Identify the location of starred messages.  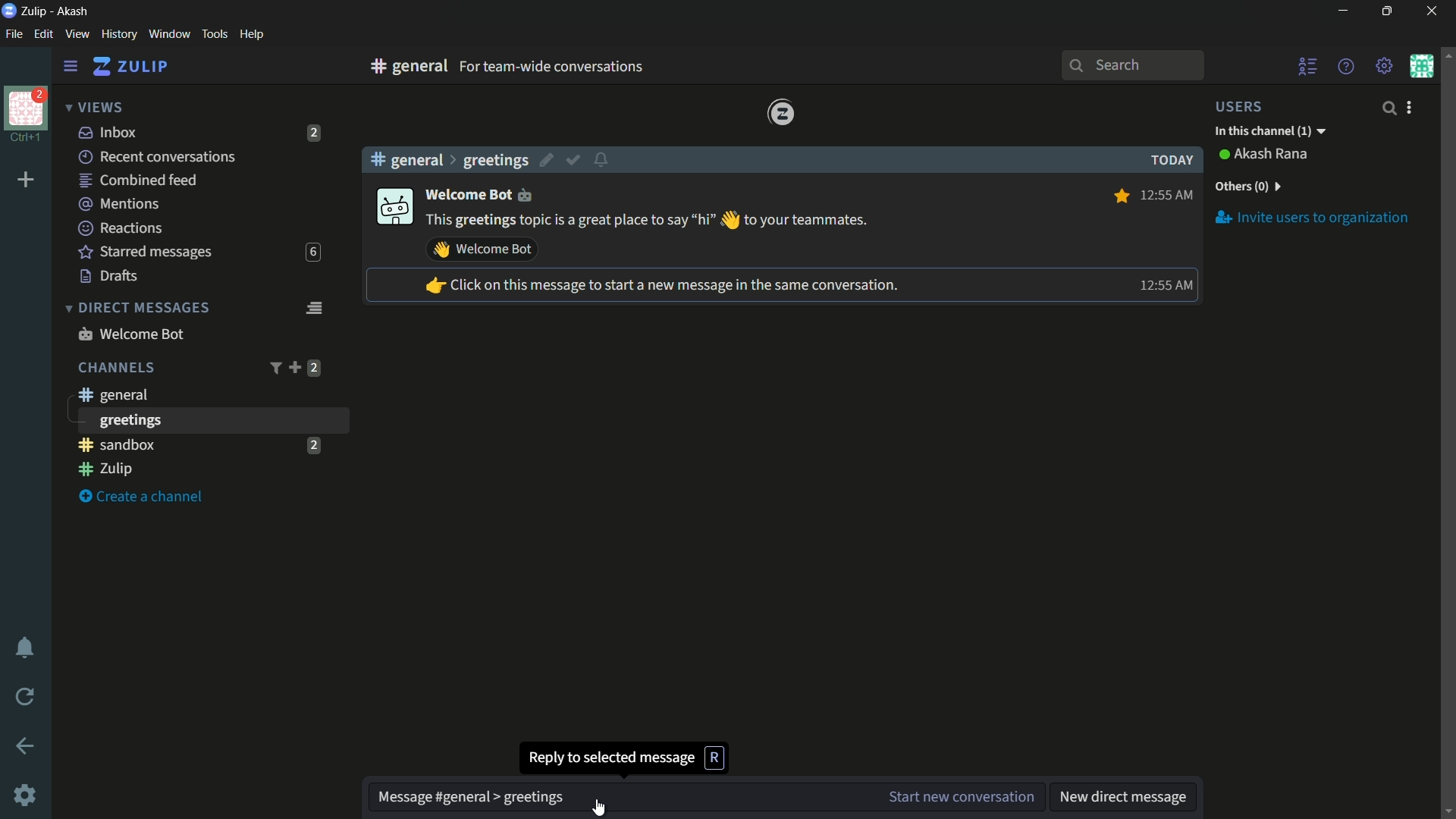
(146, 253).